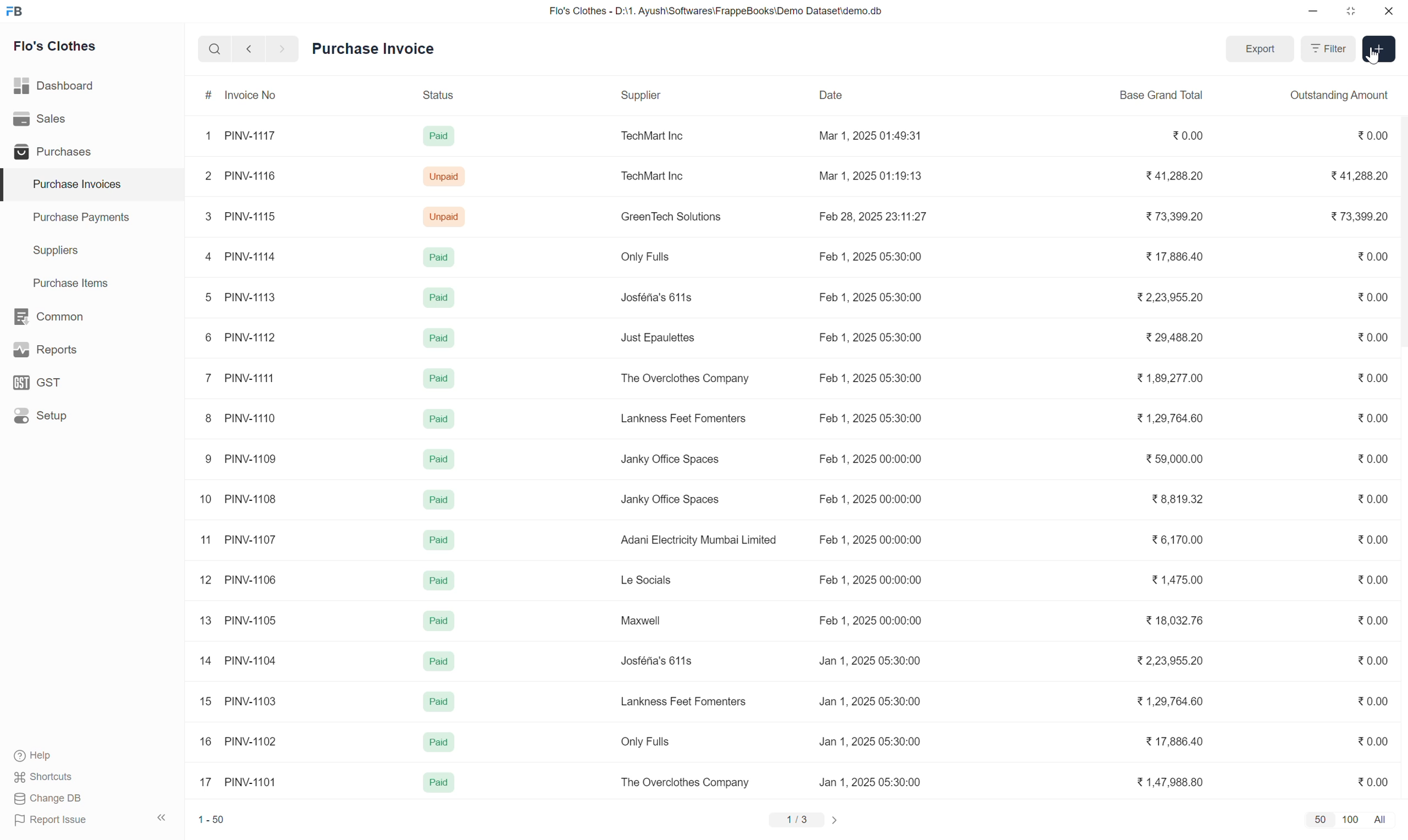 Image resolution: width=1408 pixels, height=840 pixels. What do you see at coordinates (438, 539) in the screenshot?
I see `Paid` at bounding box center [438, 539].